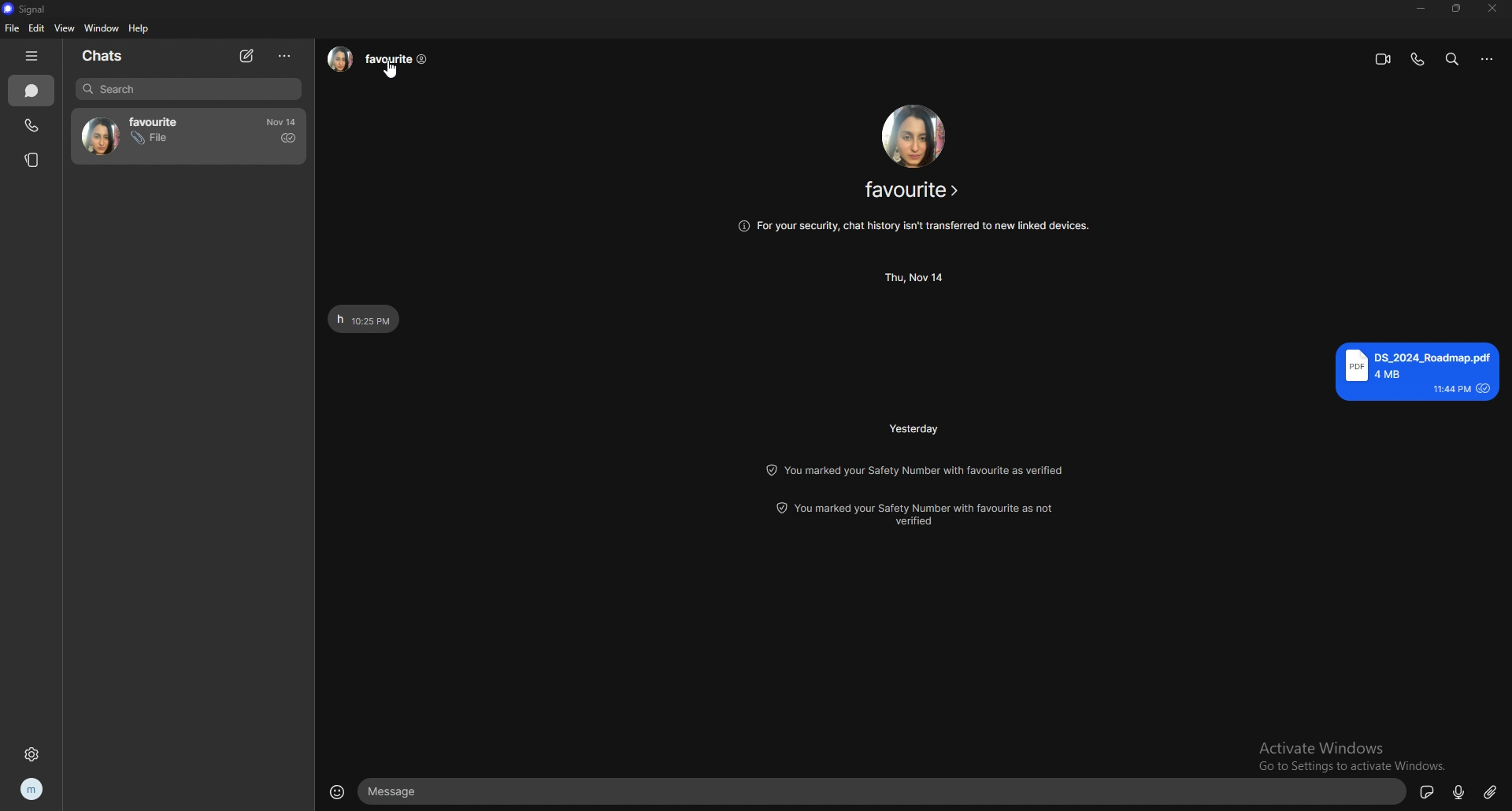  Describe the element at coordinates (33, 787) in the screenshot. I see `profile` at that location.